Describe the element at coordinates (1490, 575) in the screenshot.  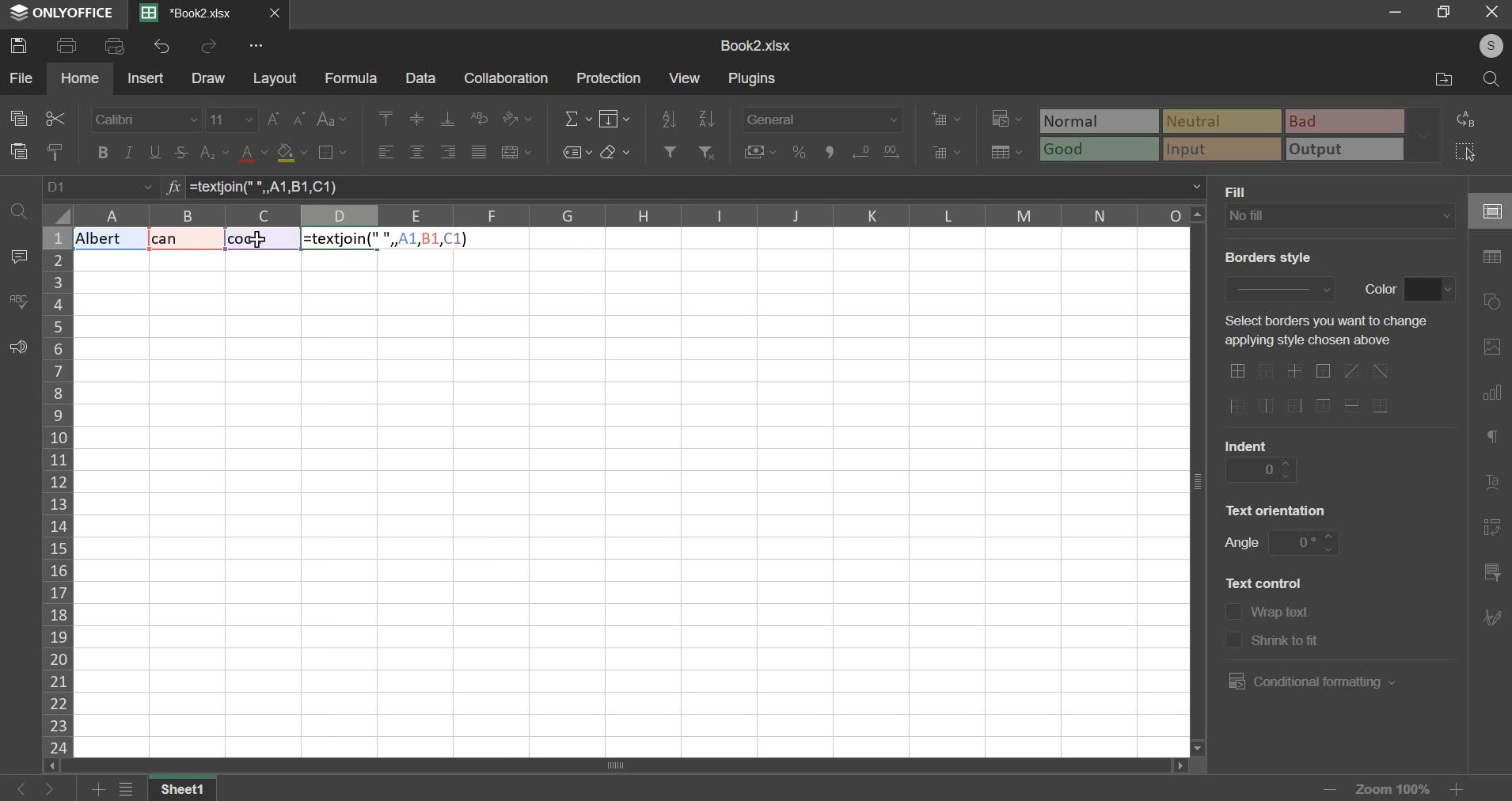
I see `slicer` at that location.